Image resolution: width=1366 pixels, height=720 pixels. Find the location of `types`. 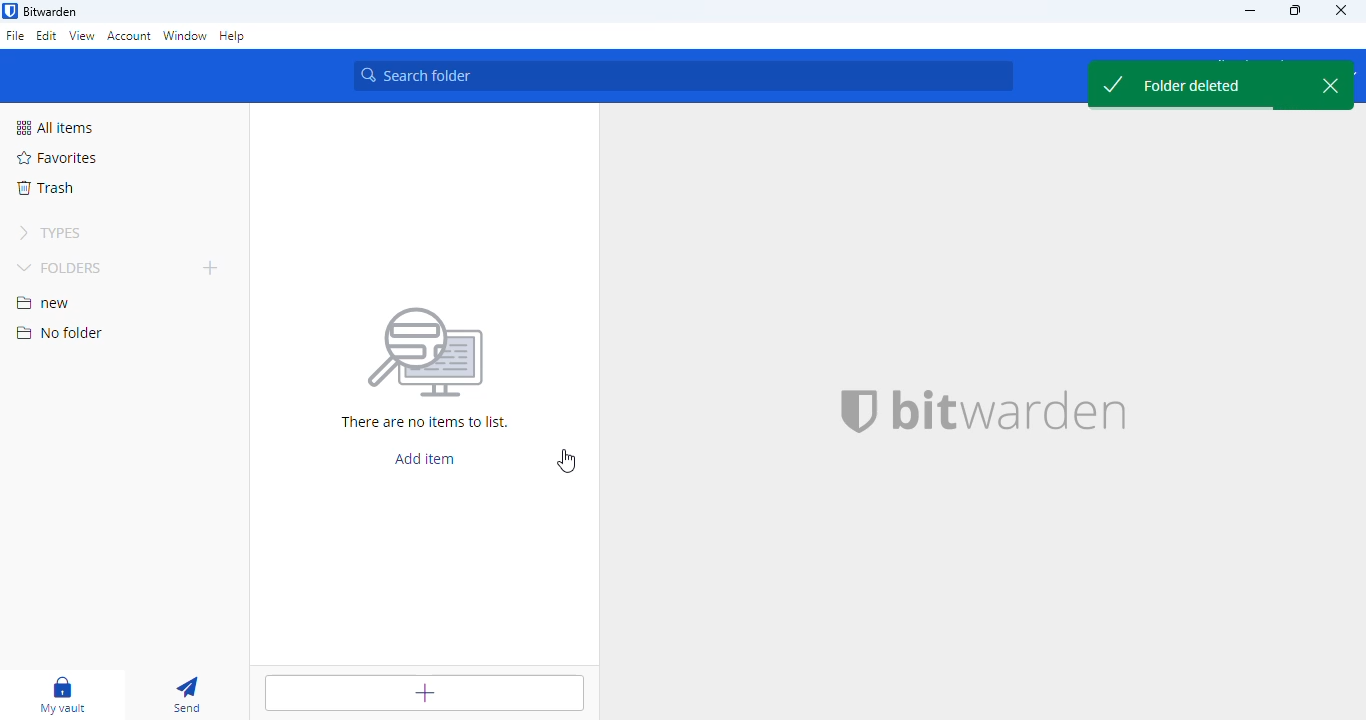

types is located at coordinates (47, 232).